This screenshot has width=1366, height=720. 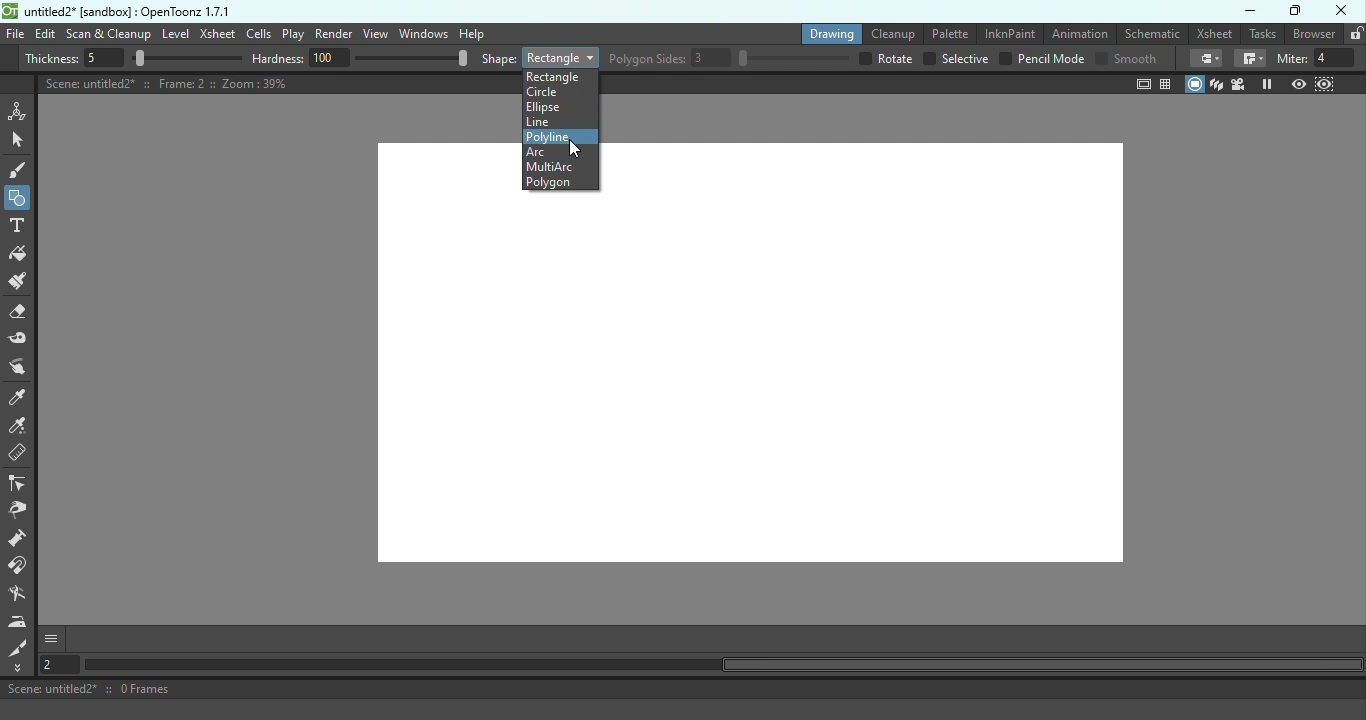 I want to click on Animate tool, so click(x=20, y=111).